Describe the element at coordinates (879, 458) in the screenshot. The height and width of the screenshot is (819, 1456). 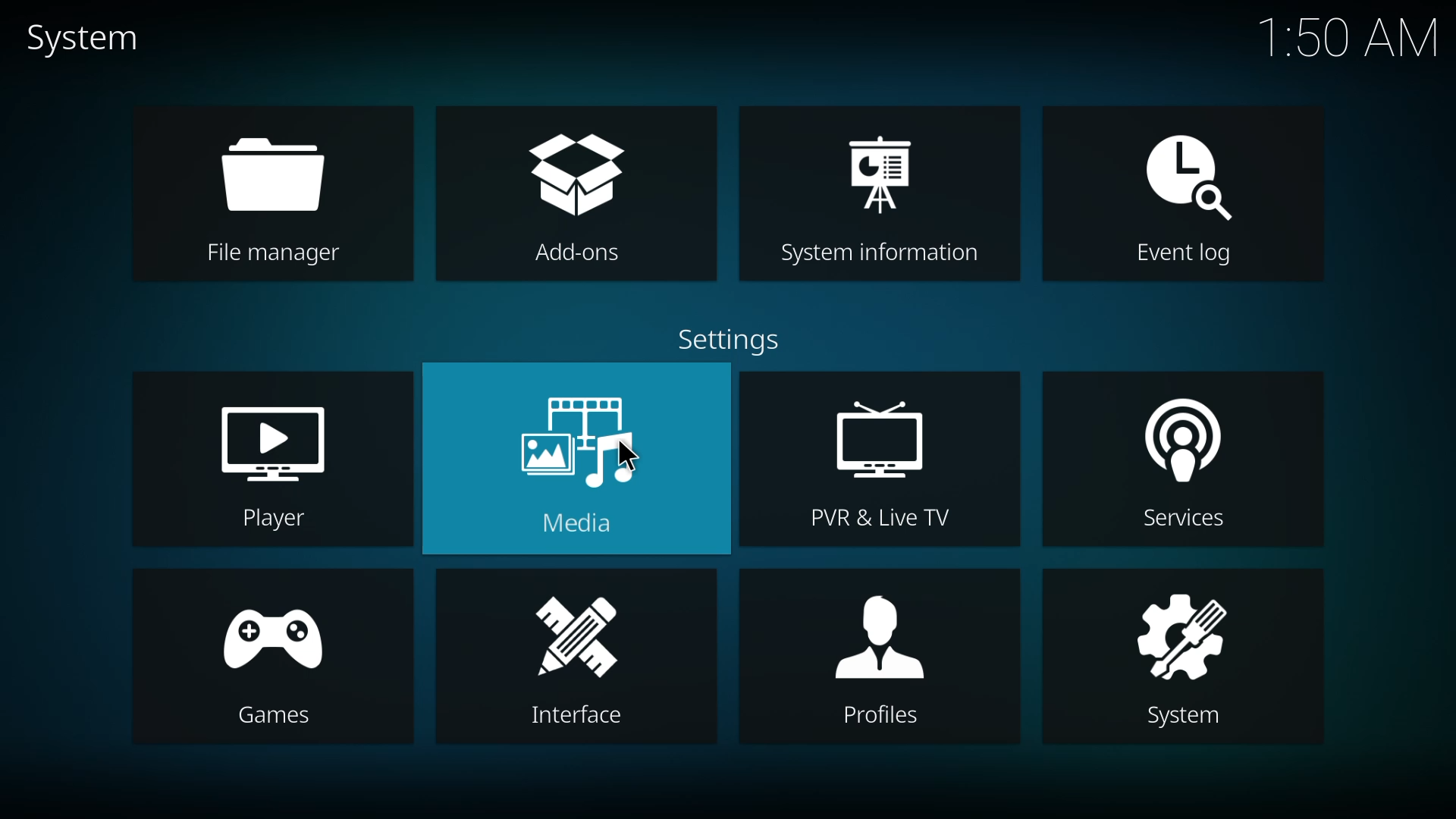
I see `pvr & live tv` at that location.